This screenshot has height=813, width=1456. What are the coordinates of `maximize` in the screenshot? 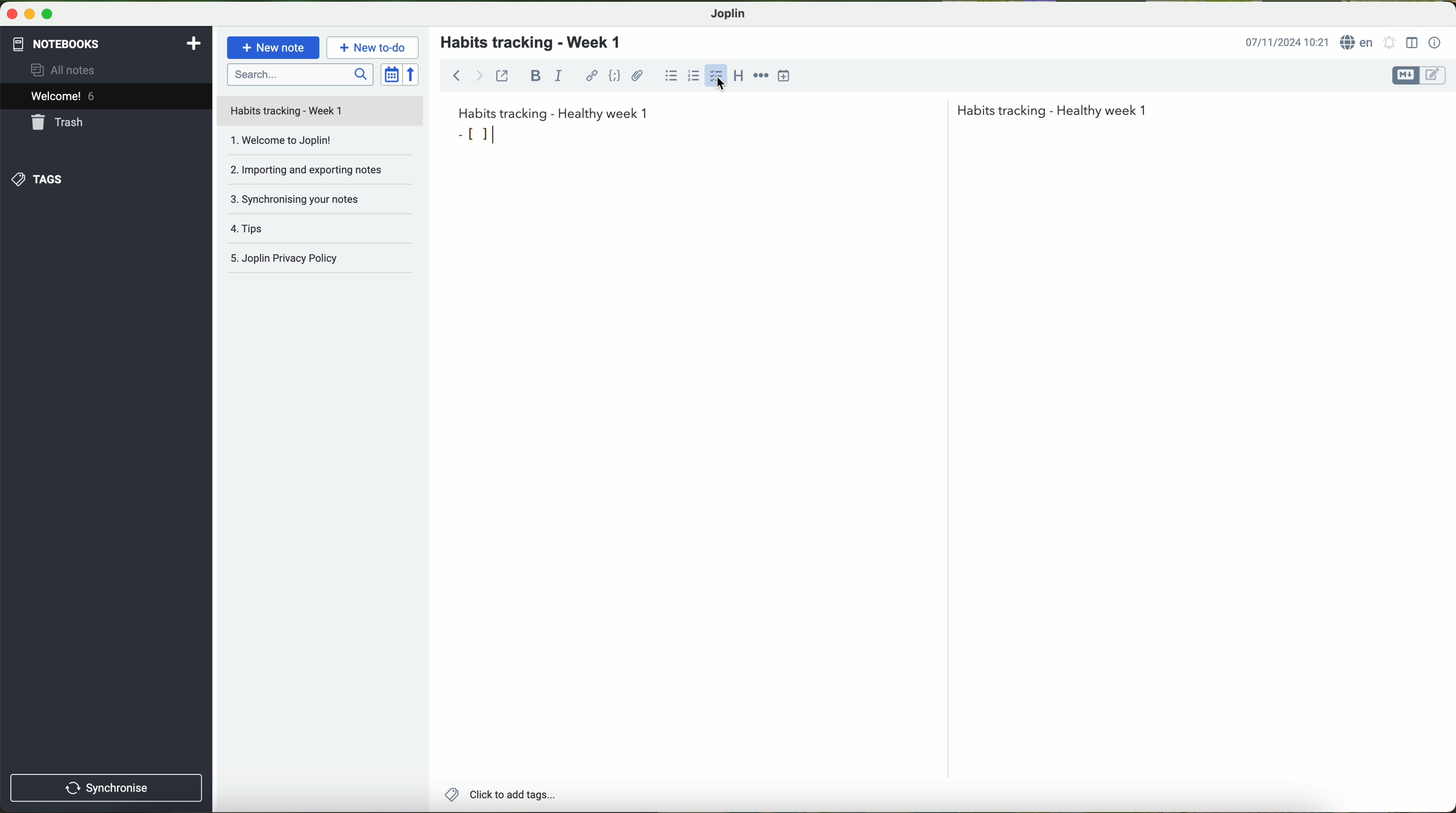 It's located at (48, 14).